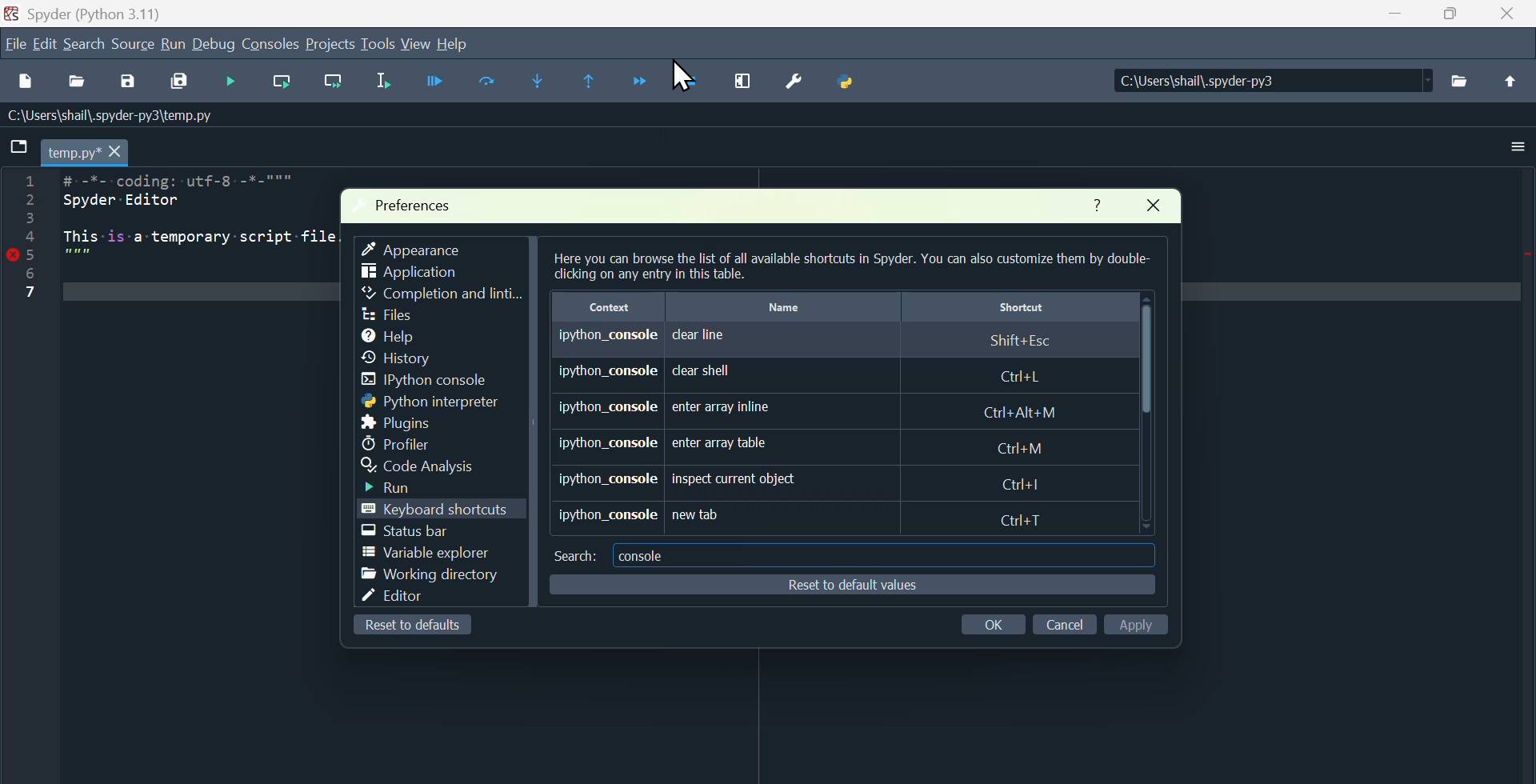  What do you see at coordinates (14, 42) in the screenshot?
I see `File` at bounding box center [14, 42].